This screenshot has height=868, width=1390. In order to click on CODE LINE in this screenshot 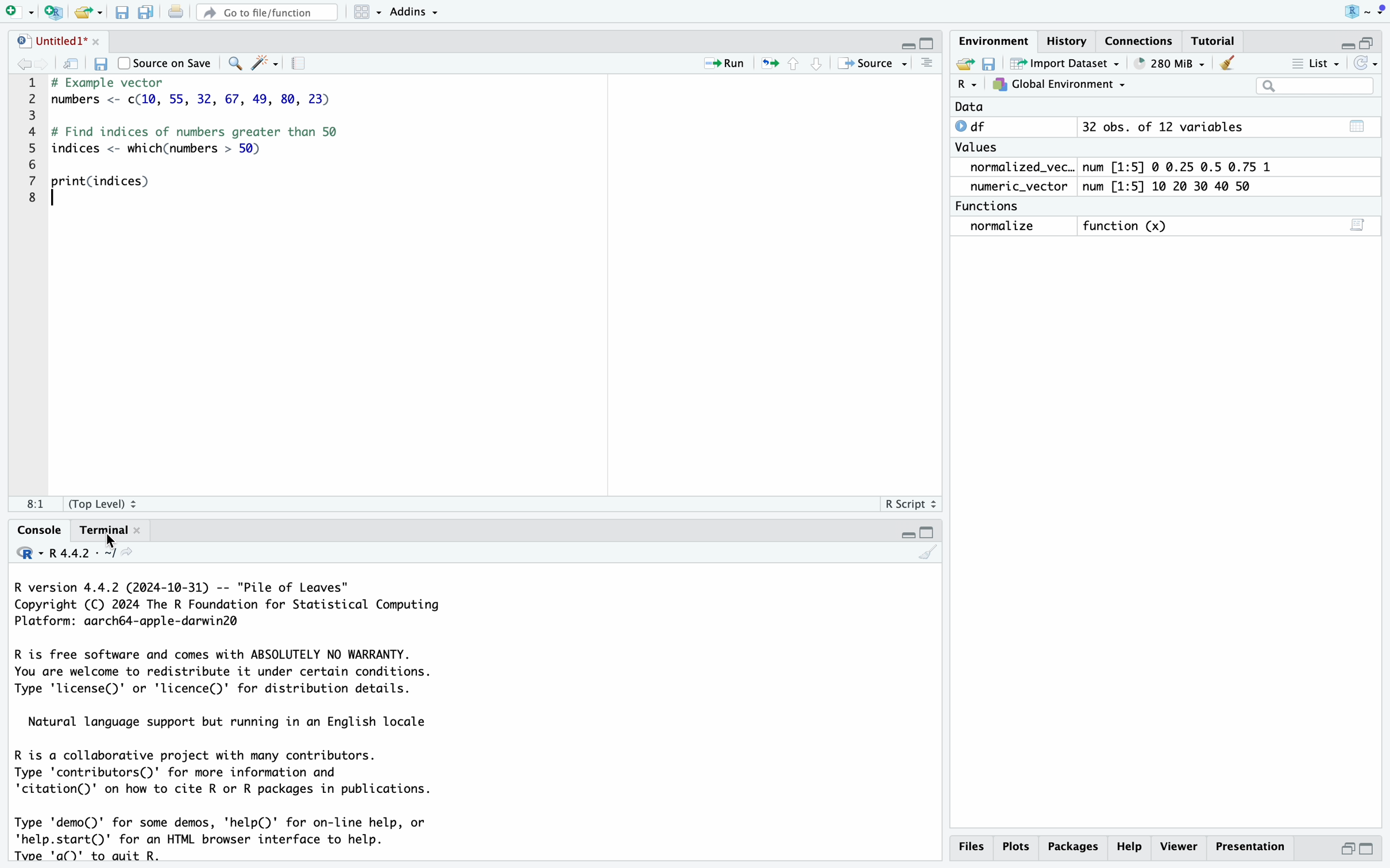, I will do `click(35, 147)`.